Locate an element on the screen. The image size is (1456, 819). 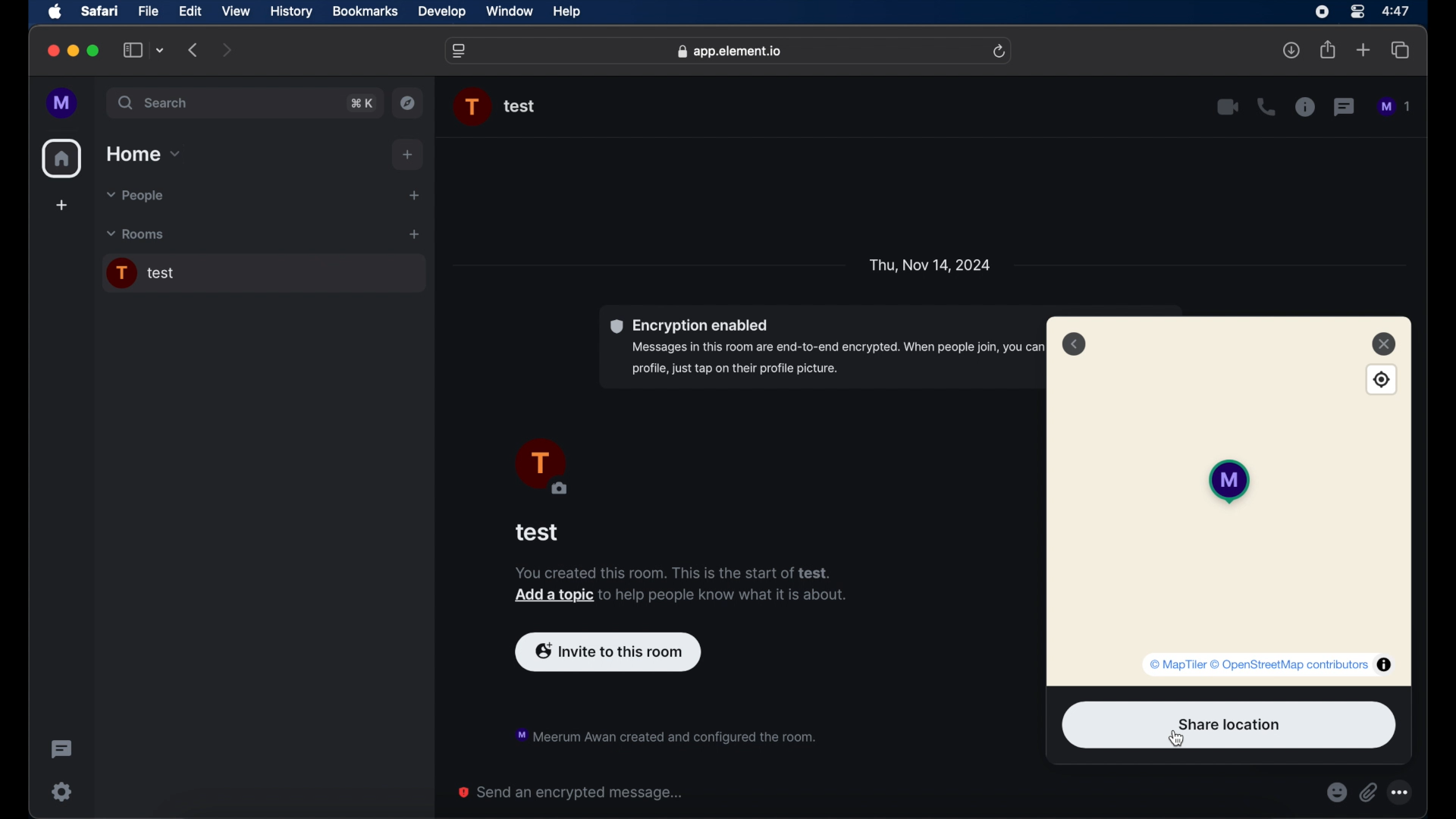
maximize is located at coordinates (94, 51).